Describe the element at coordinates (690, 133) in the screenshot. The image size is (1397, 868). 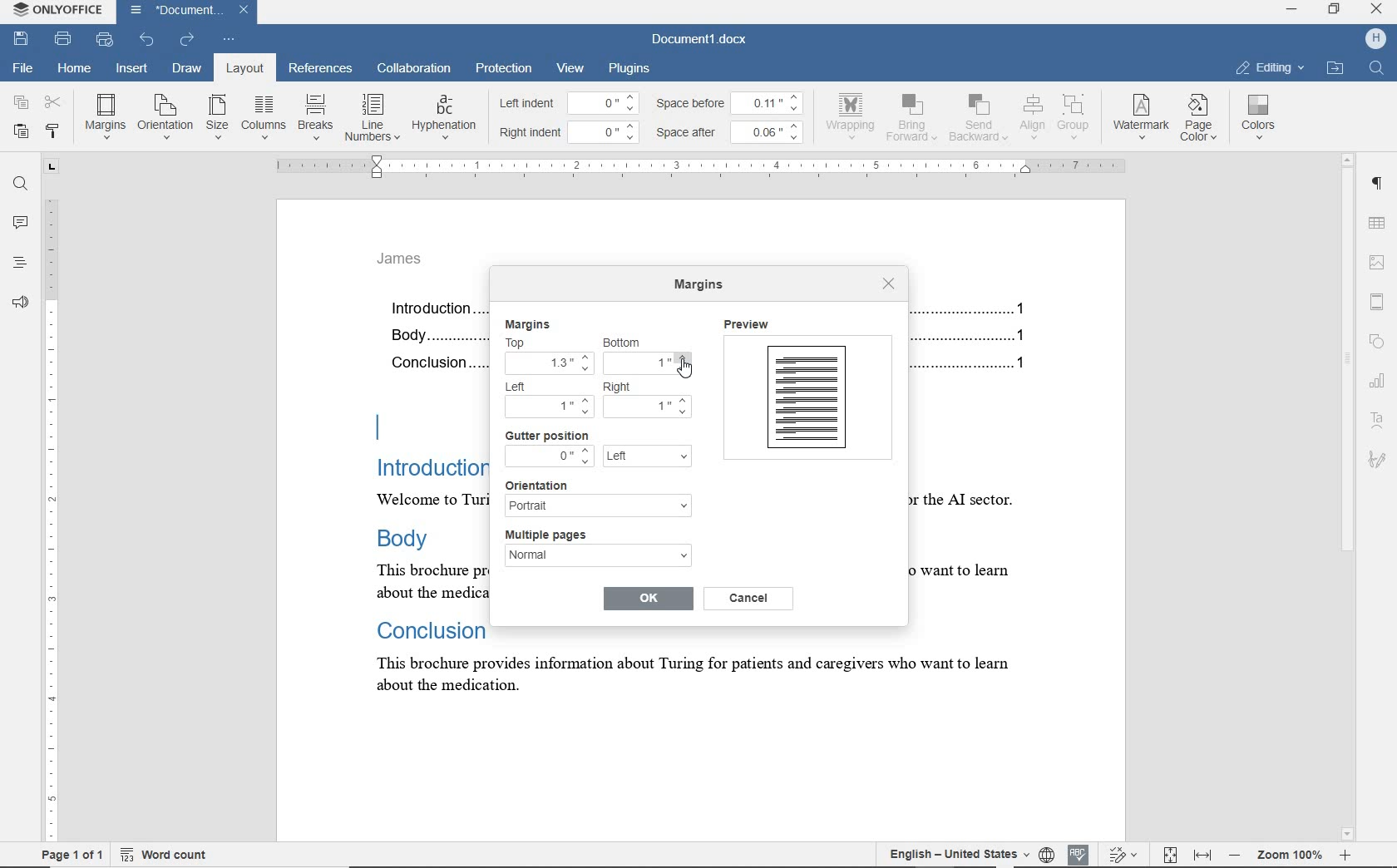
I see `space after` at that location.